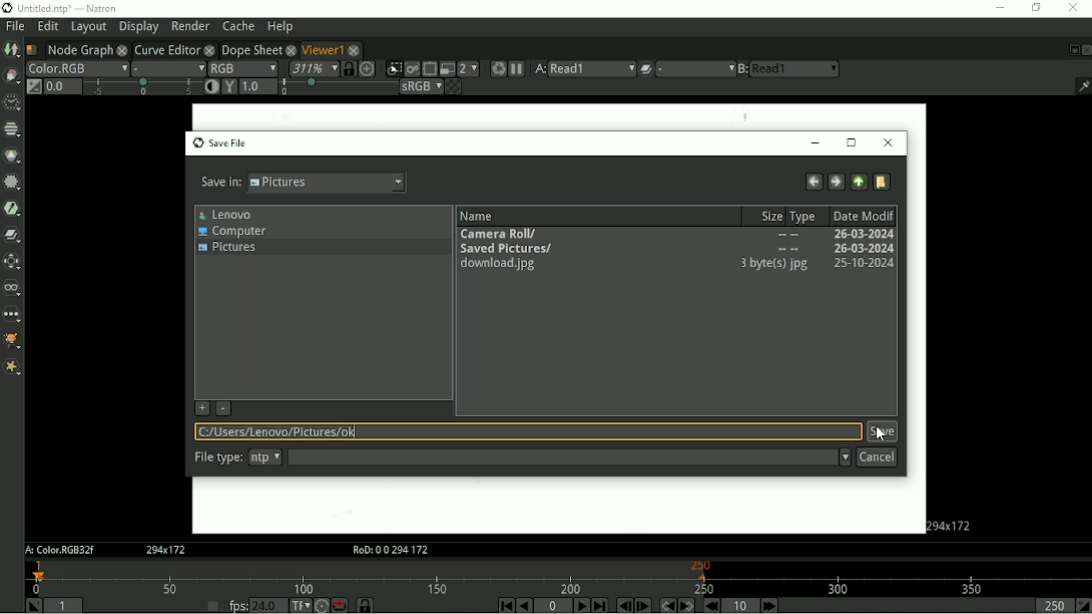 The width and height of the screenshot is (1092, 614). I want to click on menu, so click(695, 69).